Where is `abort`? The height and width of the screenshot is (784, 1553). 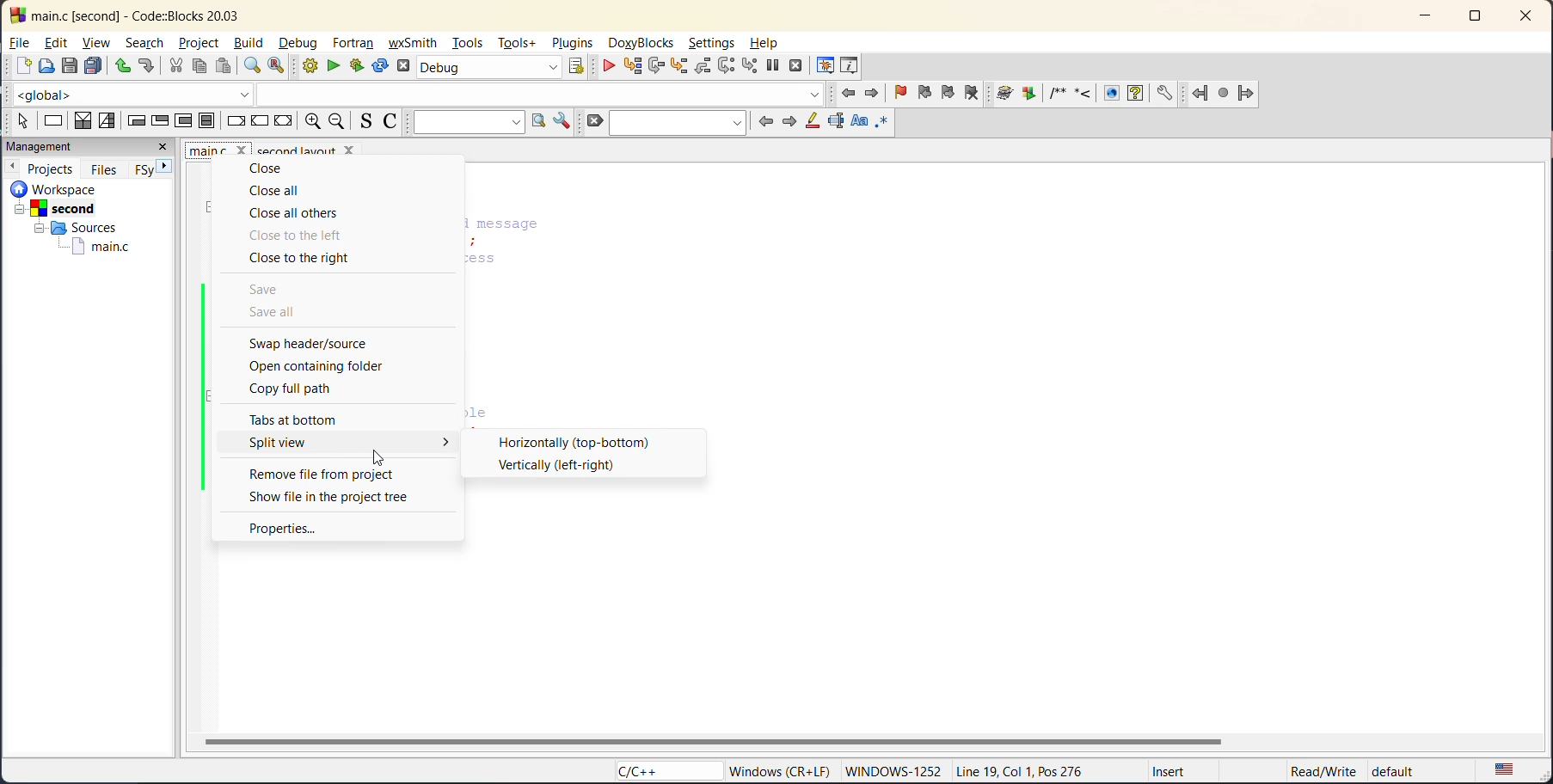 abort is located at coordinates (401, 67).